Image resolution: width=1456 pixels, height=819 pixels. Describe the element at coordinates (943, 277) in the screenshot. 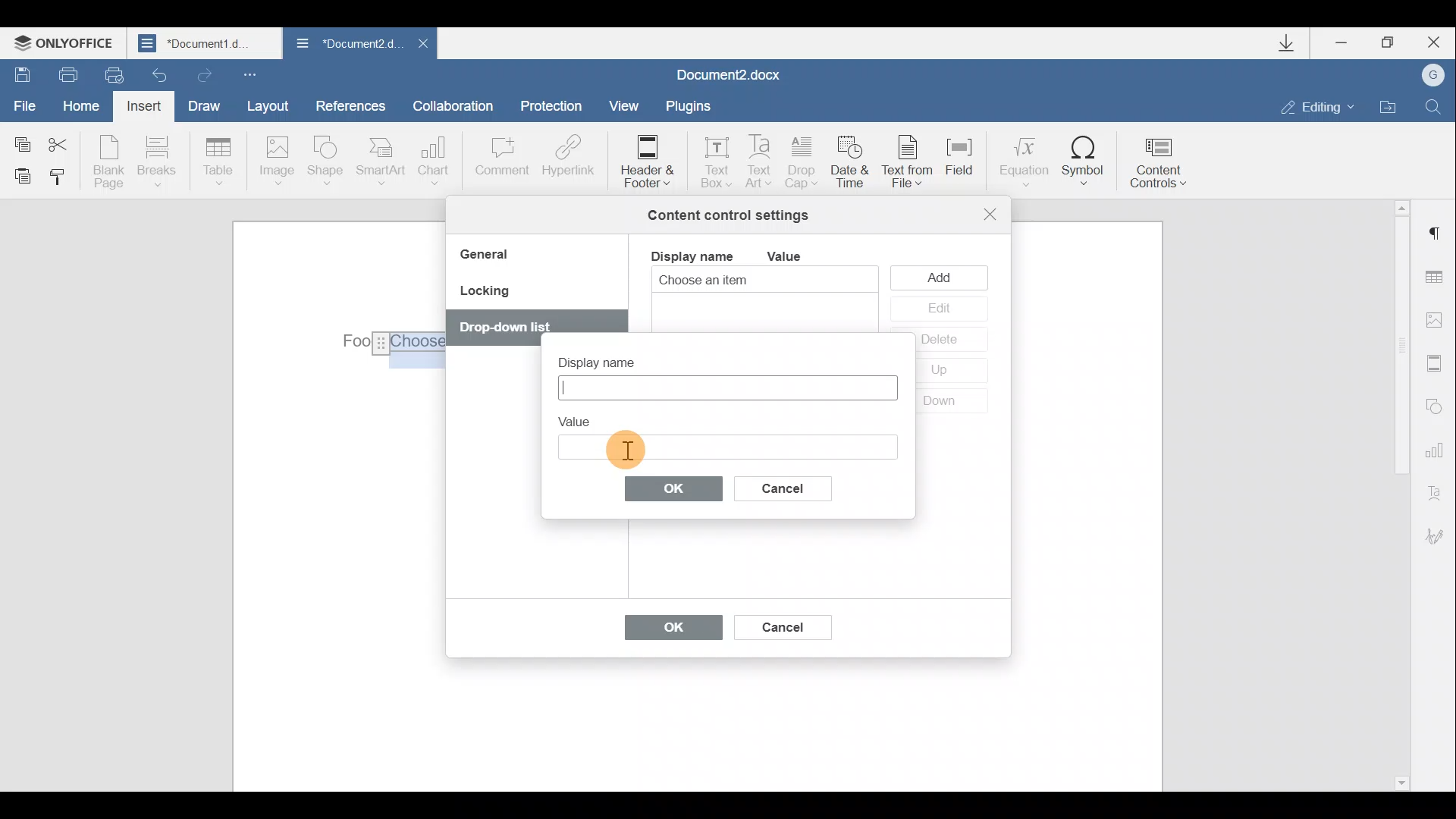

I see `Add` at that location.